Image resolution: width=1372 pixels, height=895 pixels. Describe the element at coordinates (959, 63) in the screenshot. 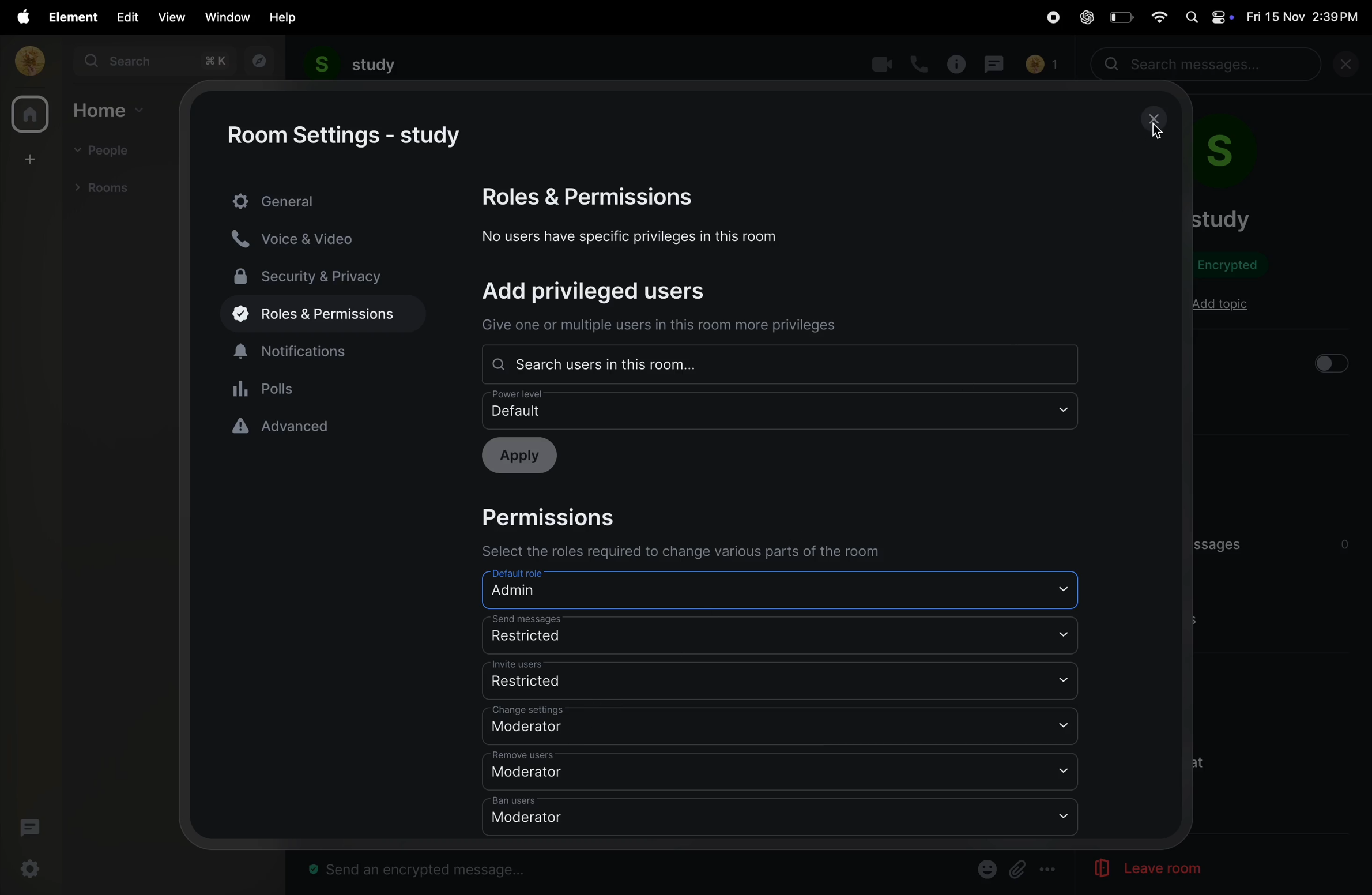

I see `info` at that location.